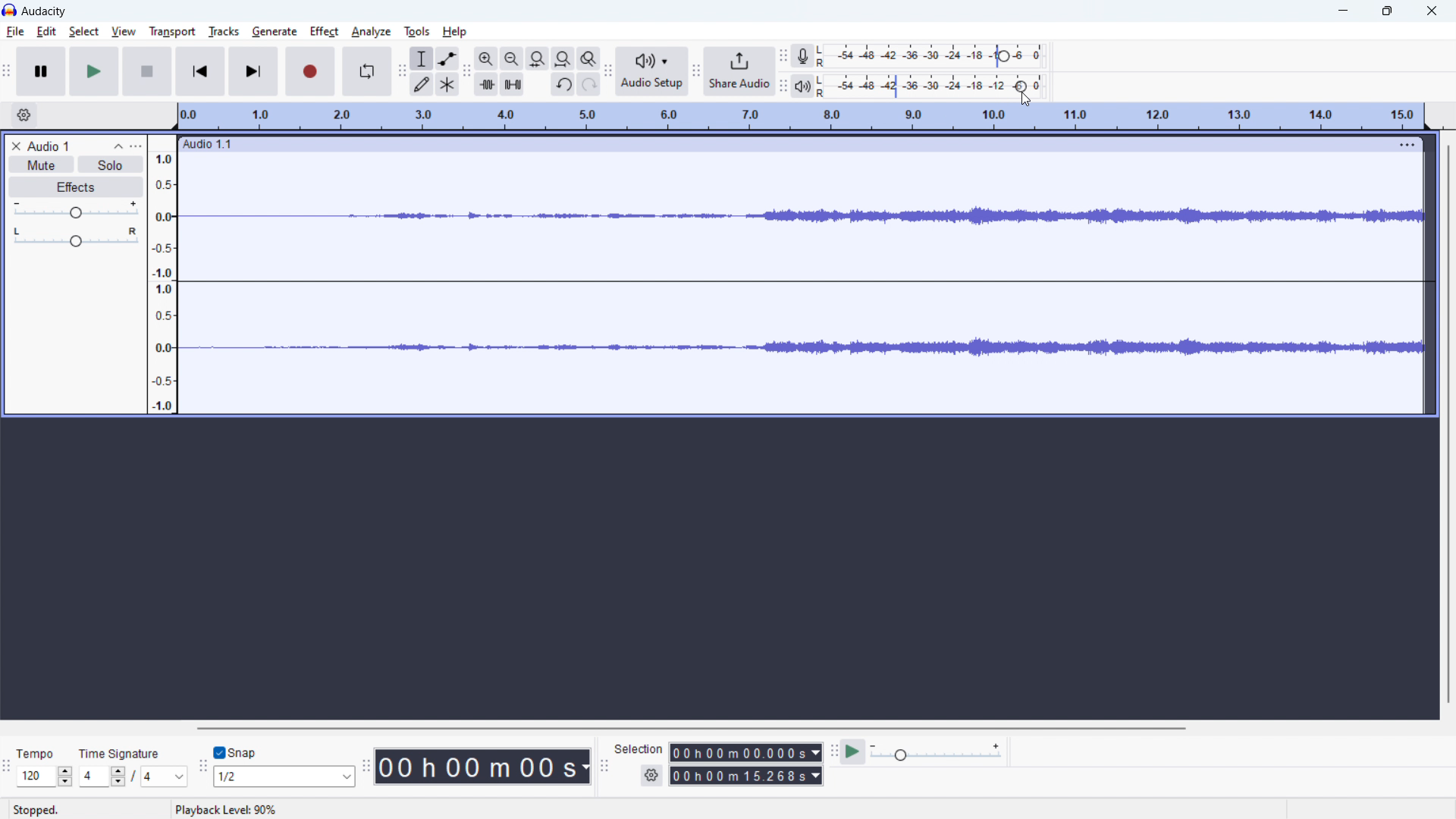  I want to click on share audio toolbar, so click(695, 68).